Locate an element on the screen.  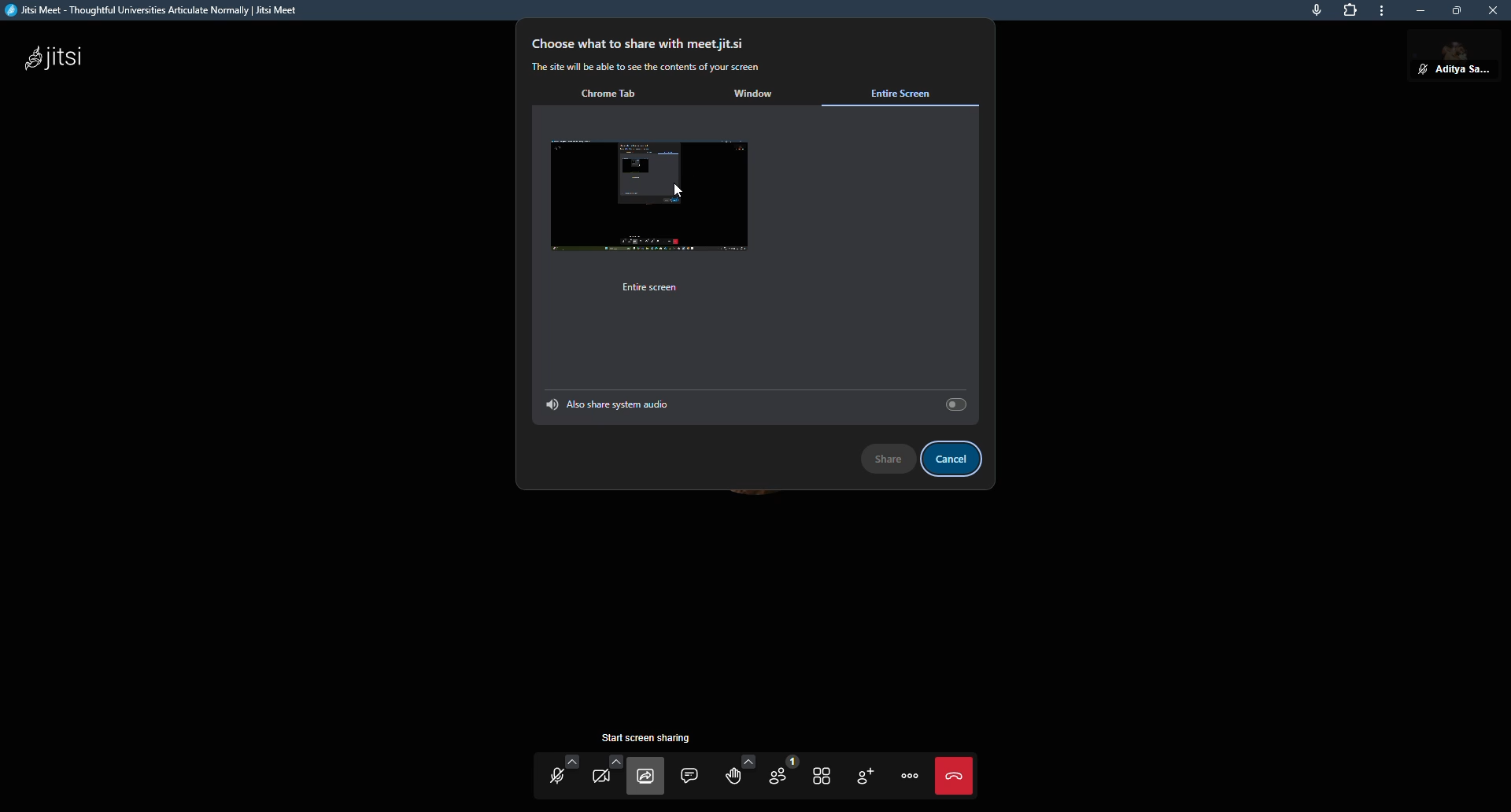
jitsi is located at coordinates (55, 59).